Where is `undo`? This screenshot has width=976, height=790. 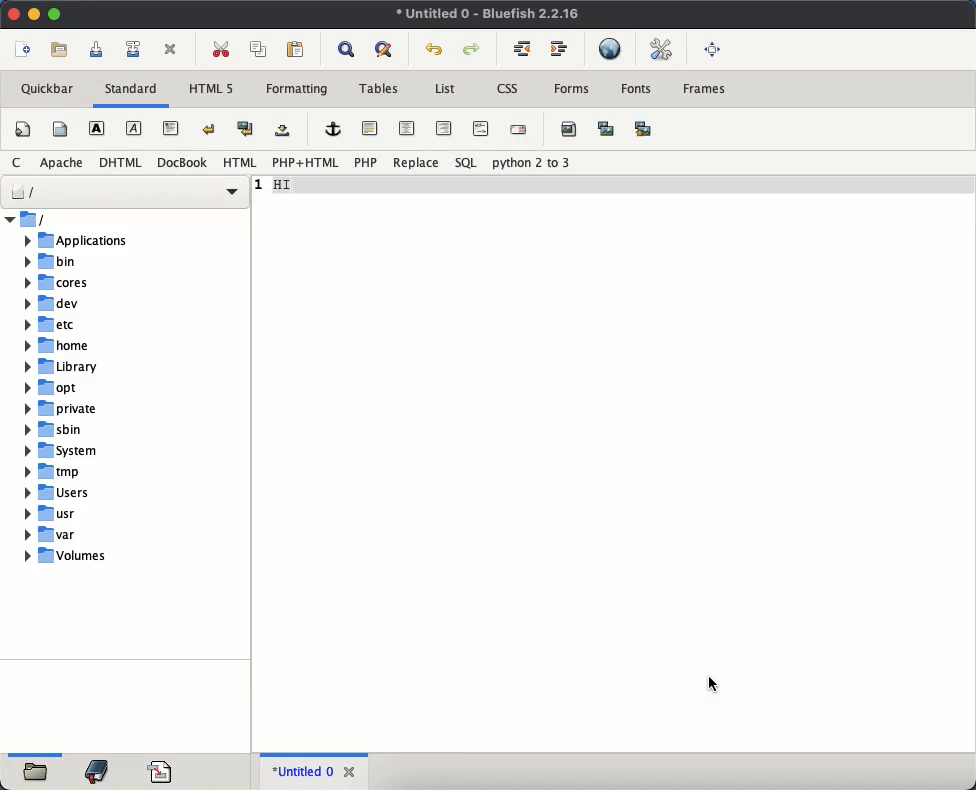
undo is located at coordinates (435, 51).